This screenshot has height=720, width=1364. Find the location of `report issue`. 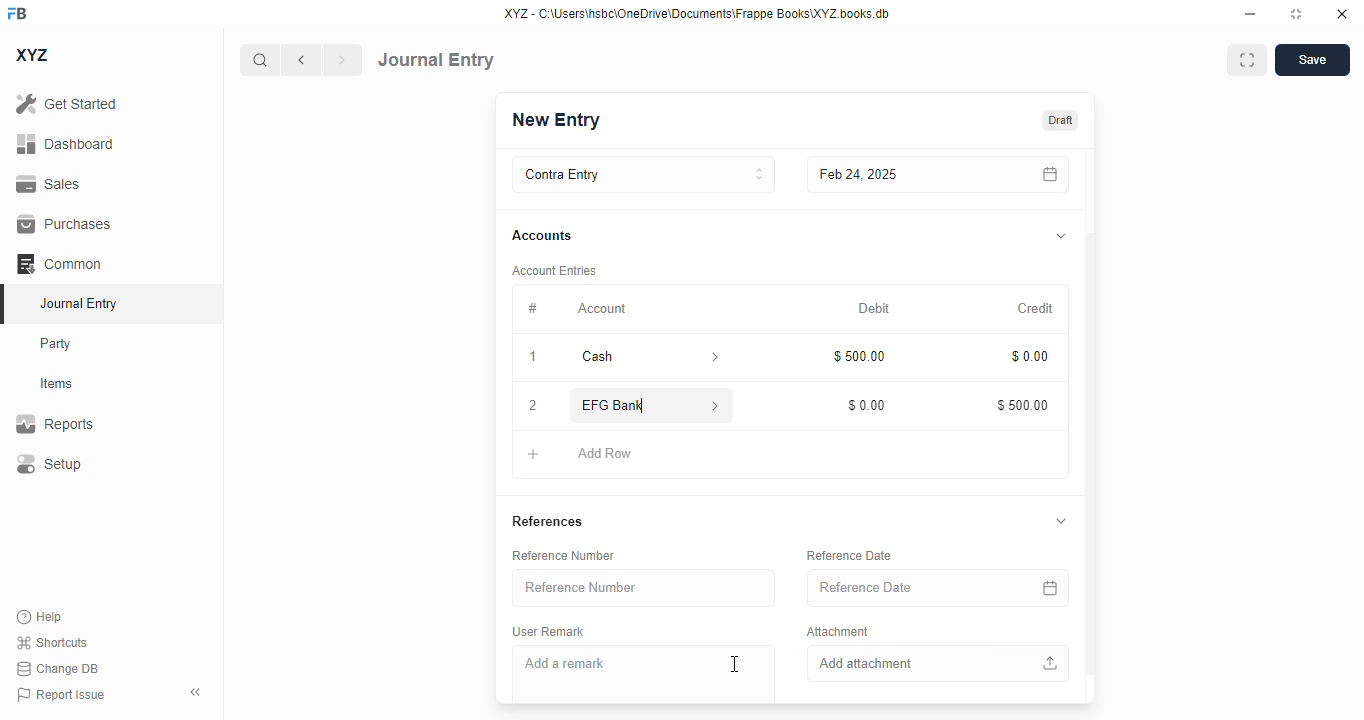

report issue is located at coordinates (61, 694).